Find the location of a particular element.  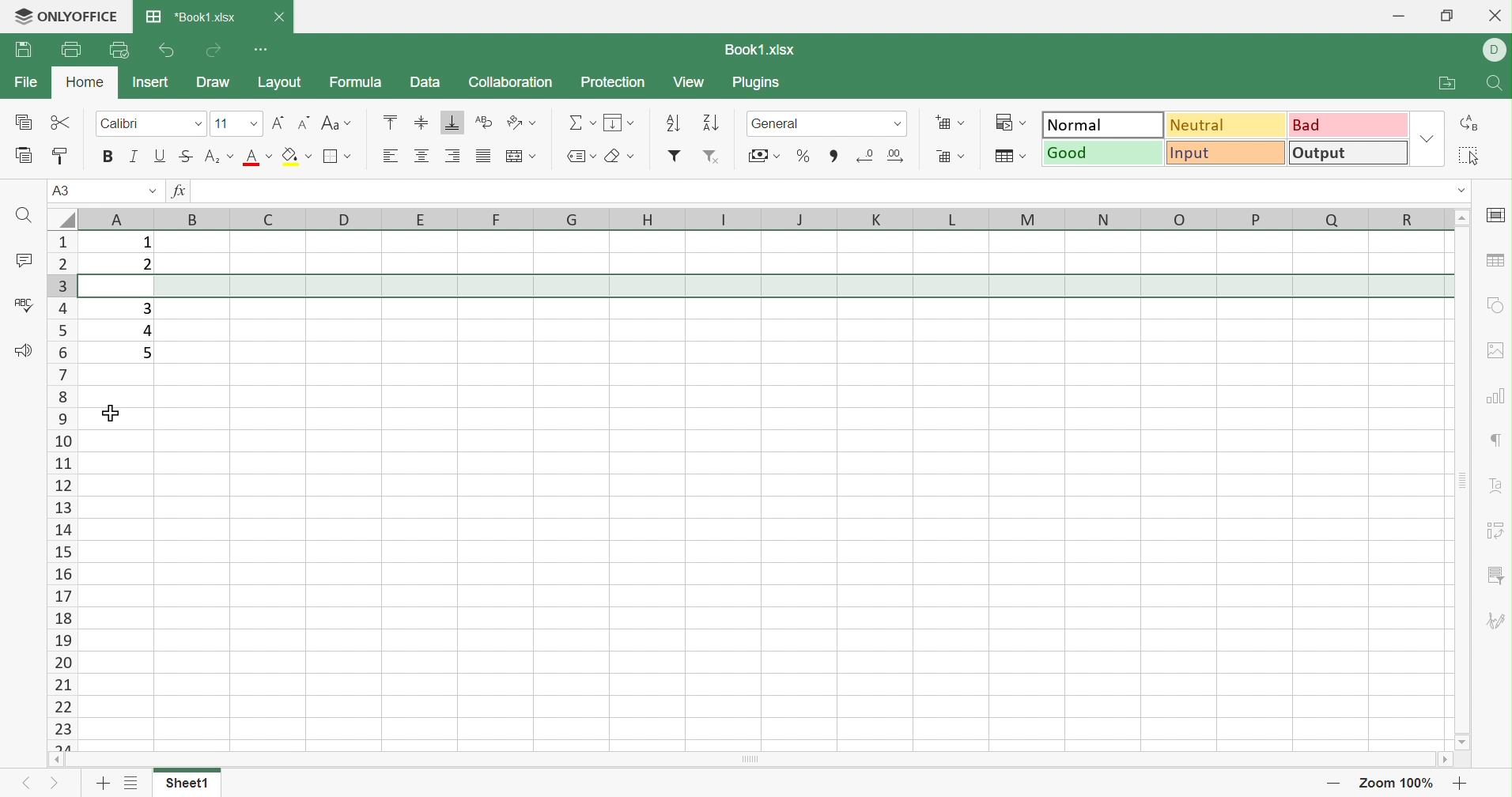

Collaboration is located at coordinates (512, 81).